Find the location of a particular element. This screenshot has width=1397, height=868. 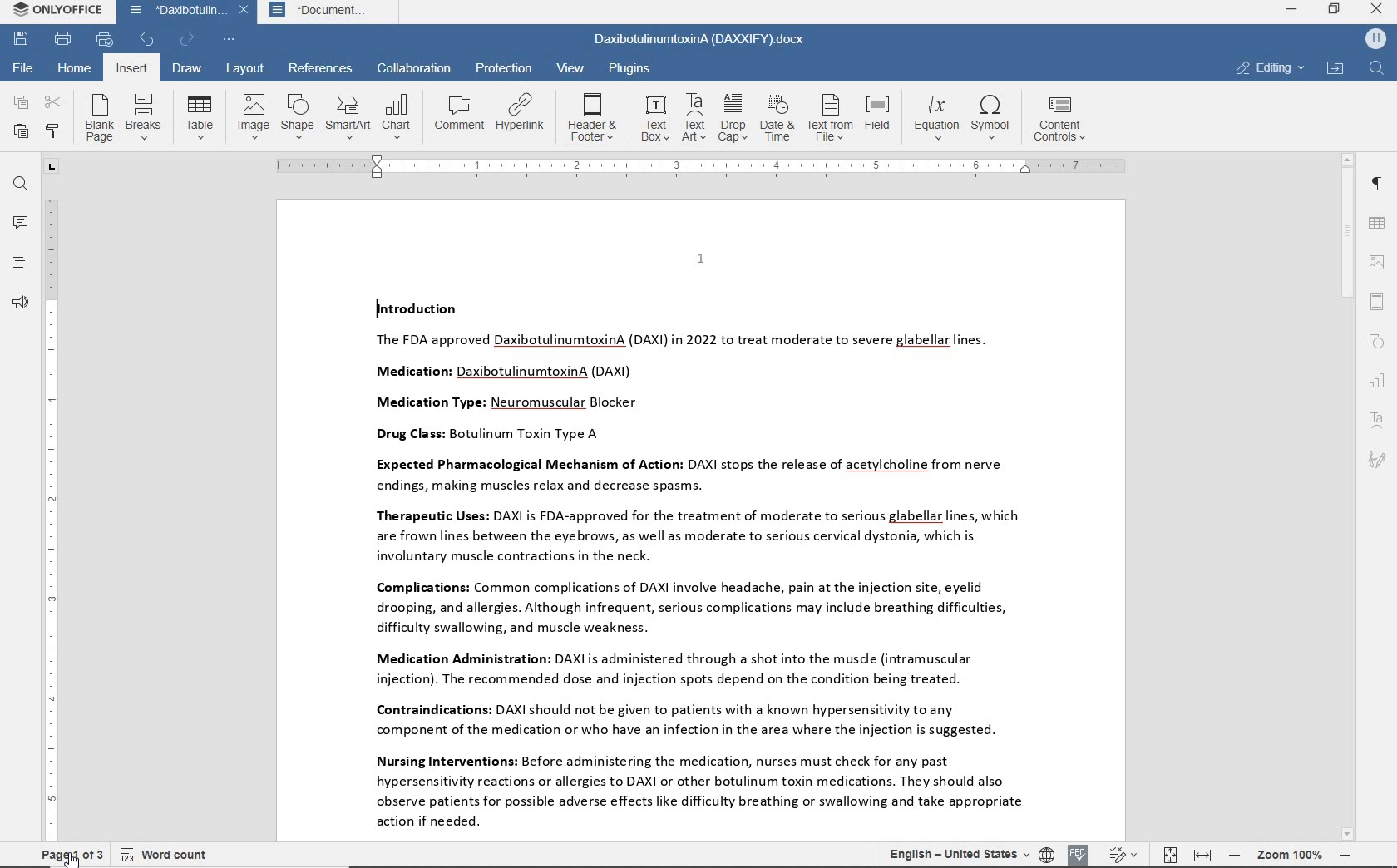

editing is located at coordinates (1270, 67).